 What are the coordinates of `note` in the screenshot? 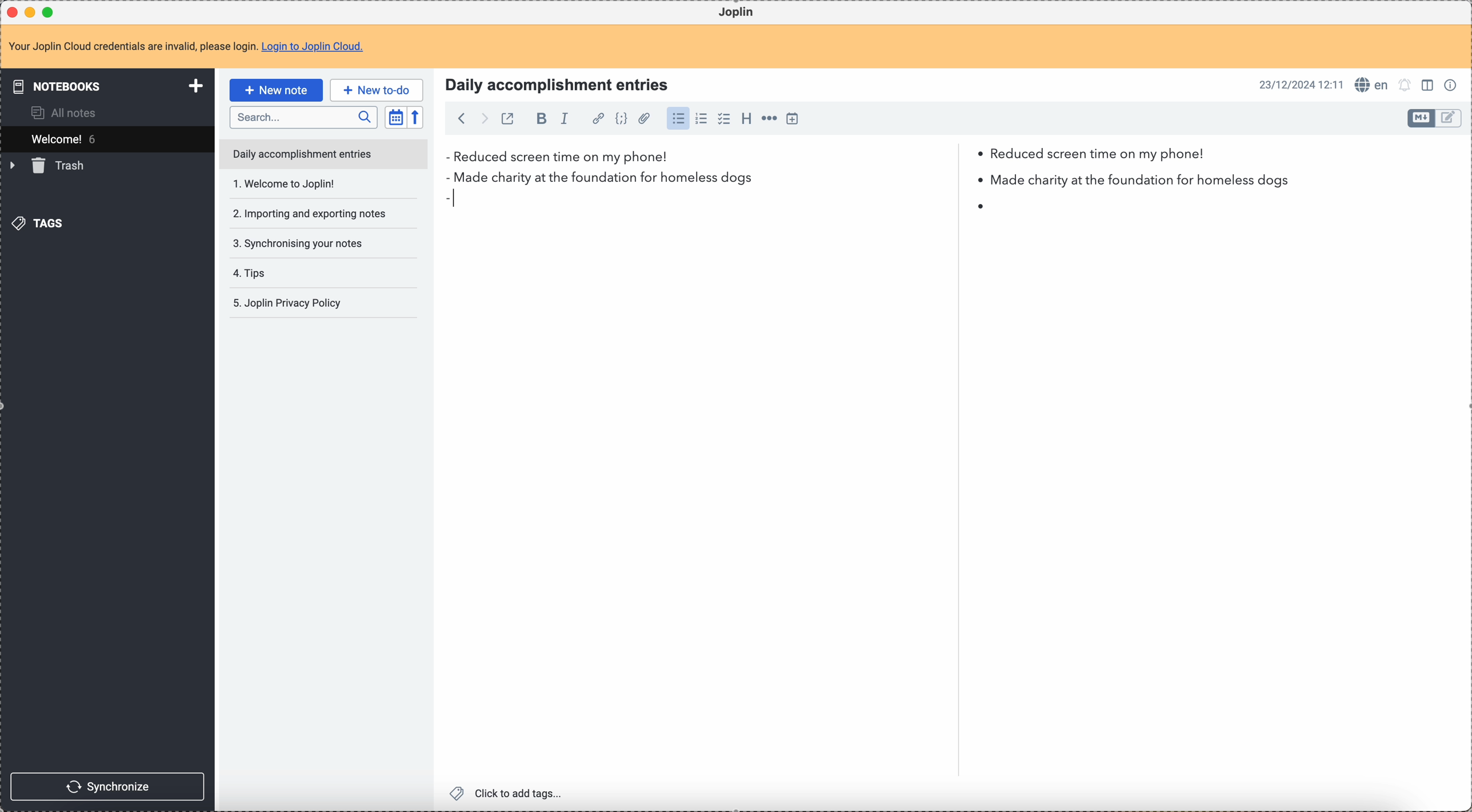 It's located at (186, 47).